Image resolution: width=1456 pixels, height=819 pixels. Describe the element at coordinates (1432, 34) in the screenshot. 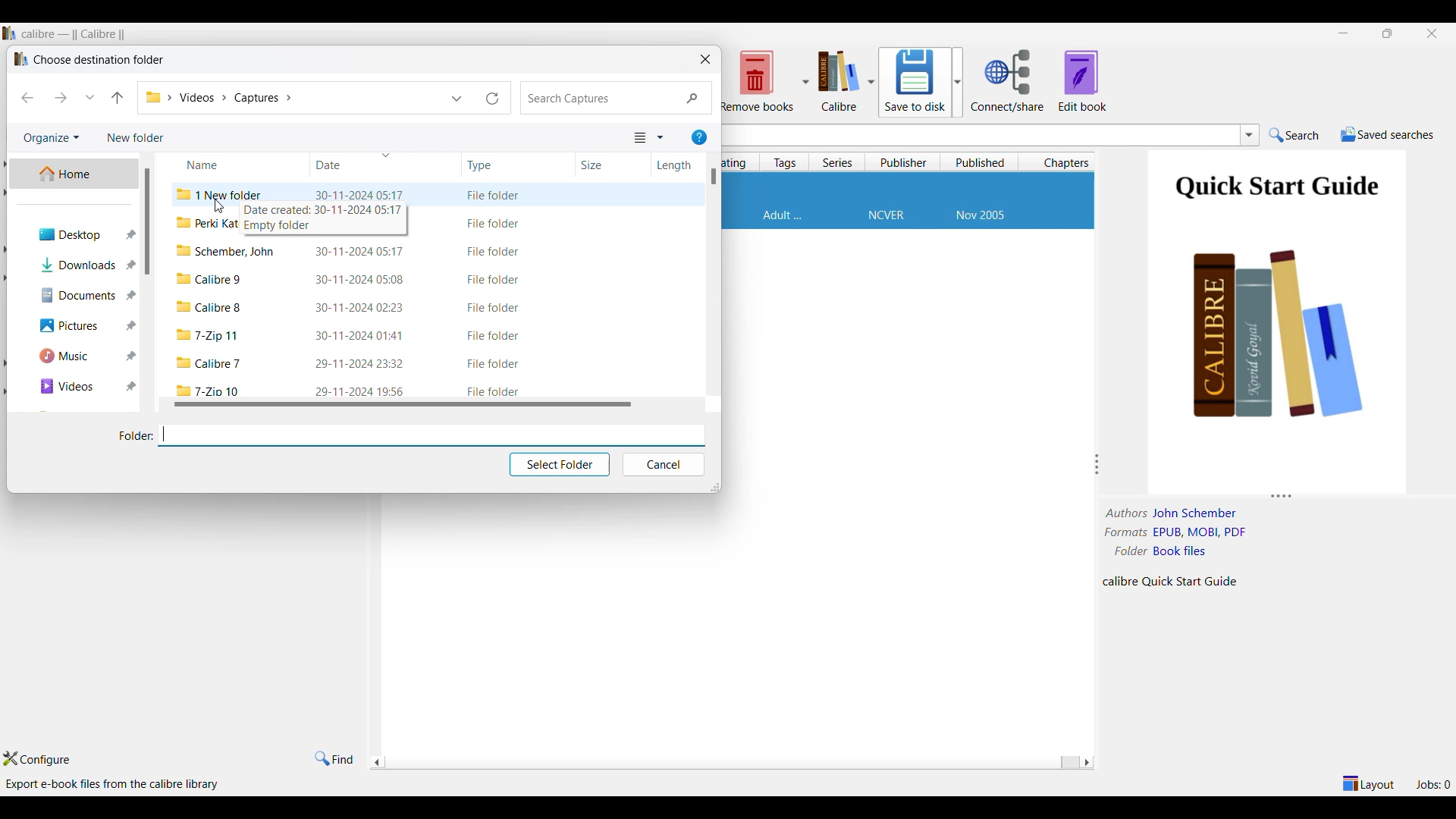

I see `Close interface` at that location.